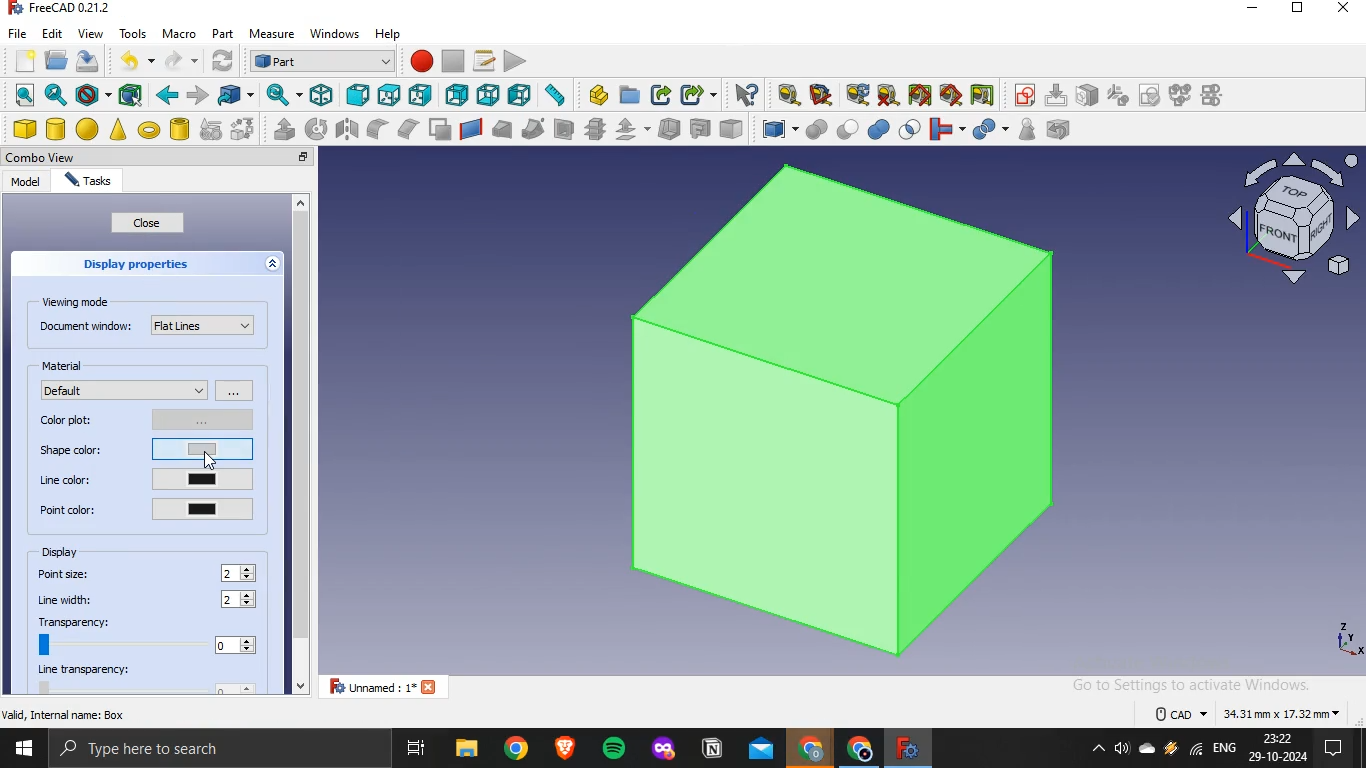  I want to click on go to linked object, so click(236, 94).